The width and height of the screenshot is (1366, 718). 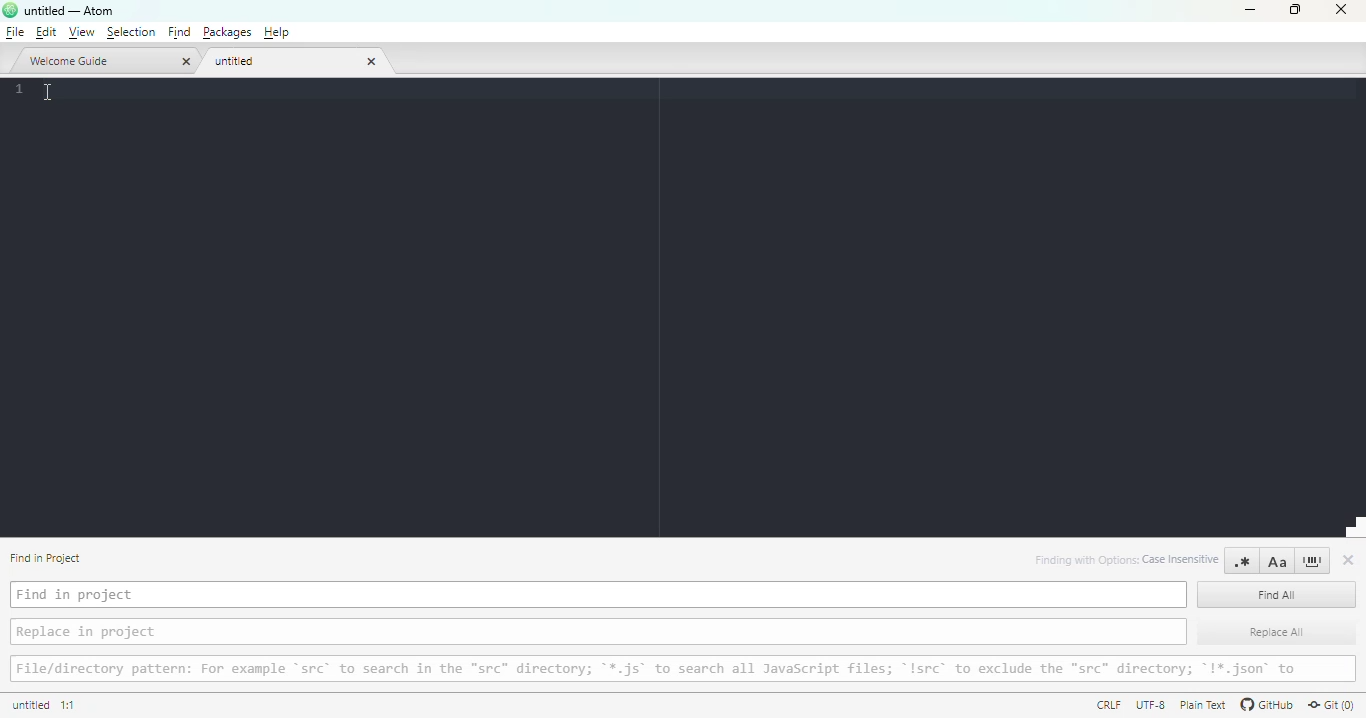 I want to click on finding with options: case insensitive, so click(x=1127, y=560).